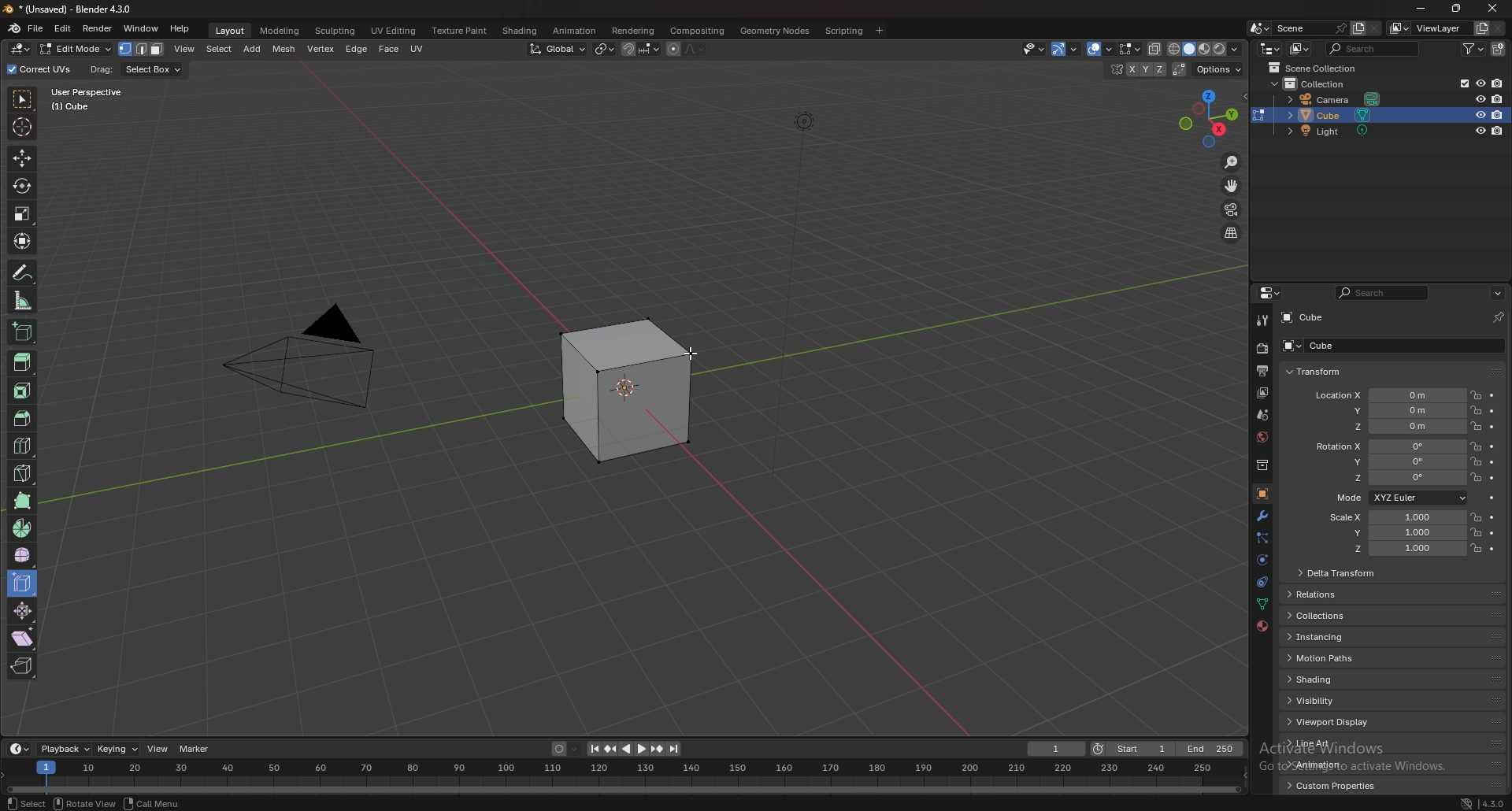  Describe the element at coordinates (1258, 115) in the screenshot. I see `change object` at that location.